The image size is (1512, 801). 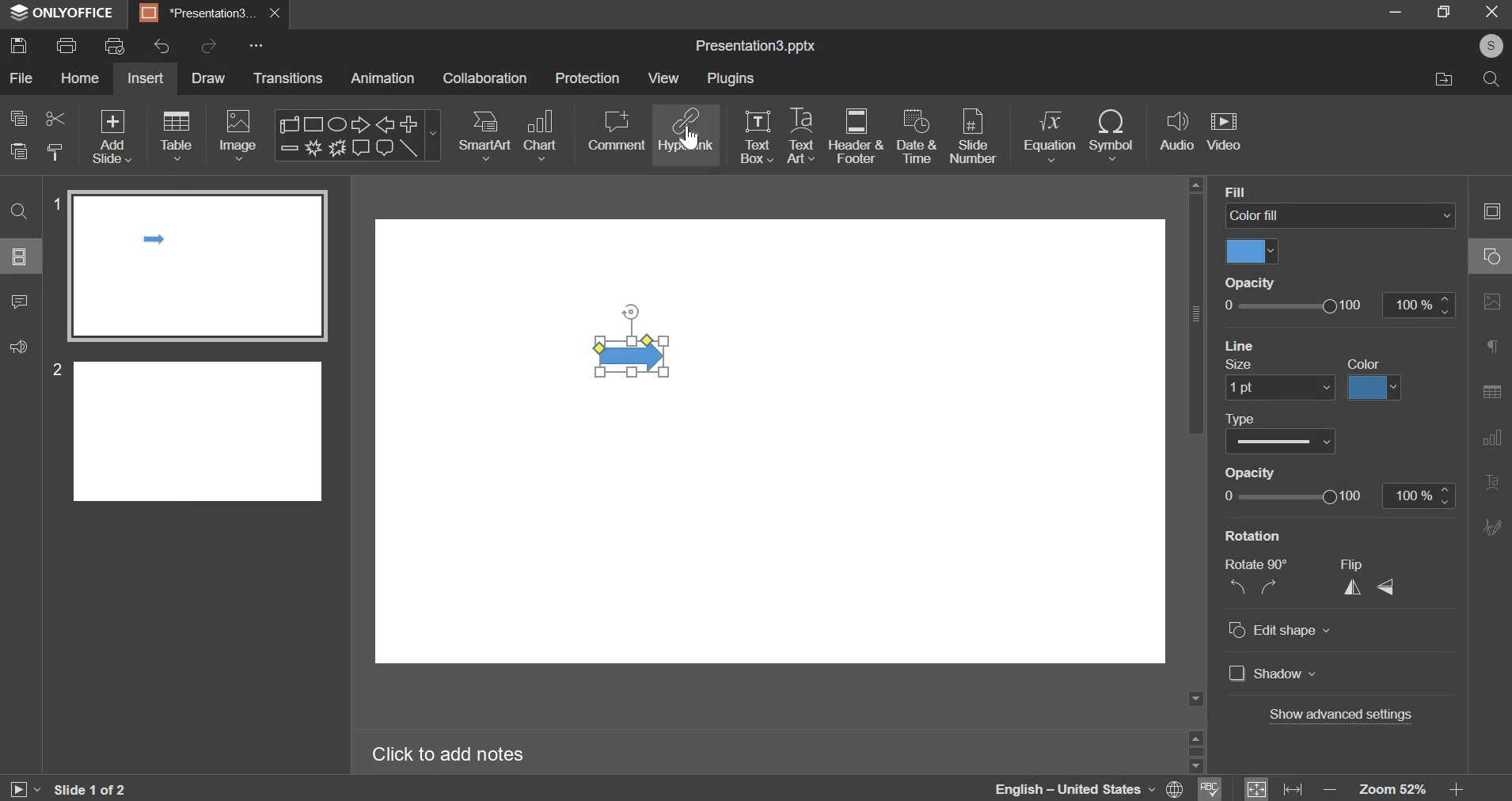 I want to click on minus, so click(x=288, y=147).